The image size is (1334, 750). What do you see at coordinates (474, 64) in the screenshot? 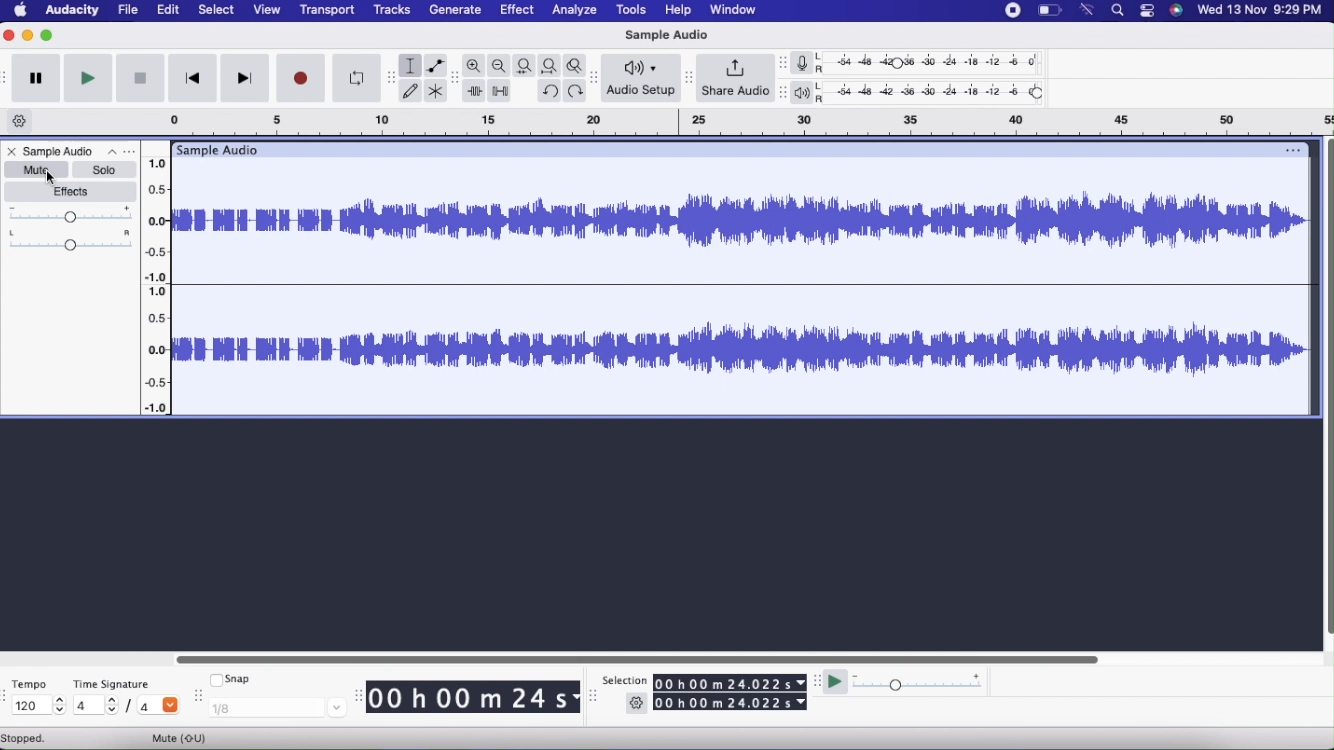
I see `Zoom in` at bounding box center [474, 64].